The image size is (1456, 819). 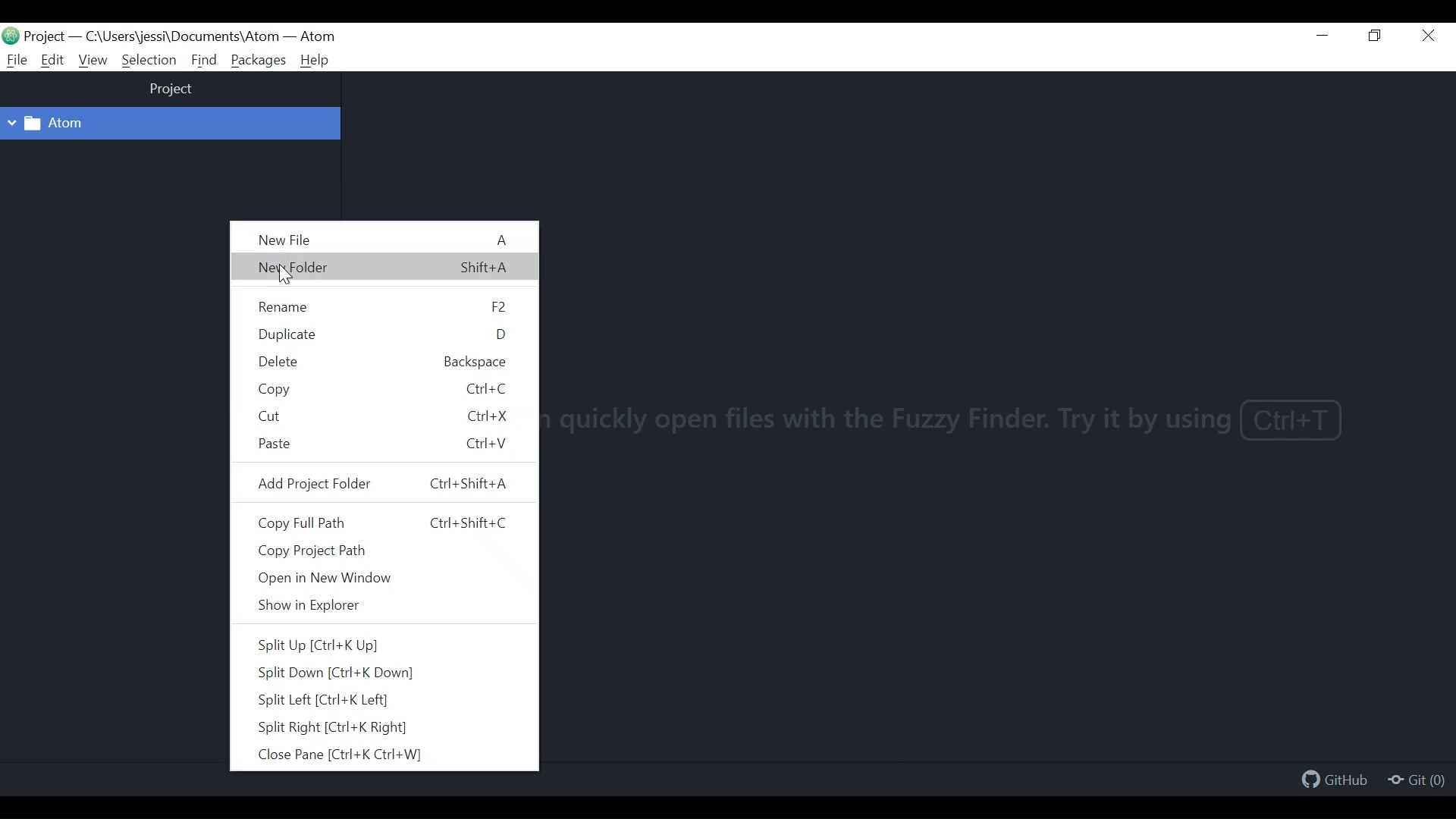 I want to click on Find, so click(x=205, y=60).